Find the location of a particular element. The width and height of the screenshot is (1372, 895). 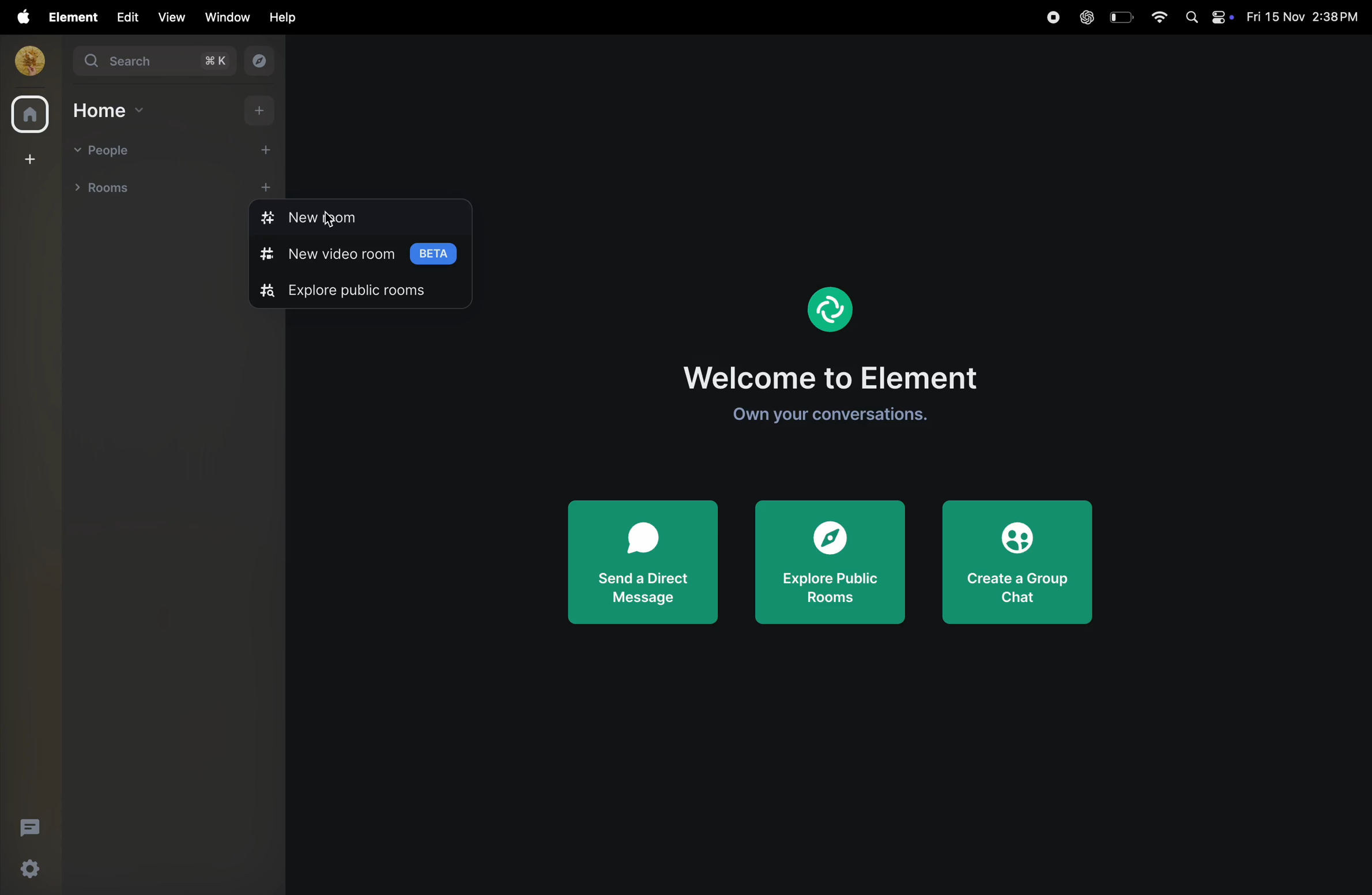

new room is located at coordinates (333, 219).